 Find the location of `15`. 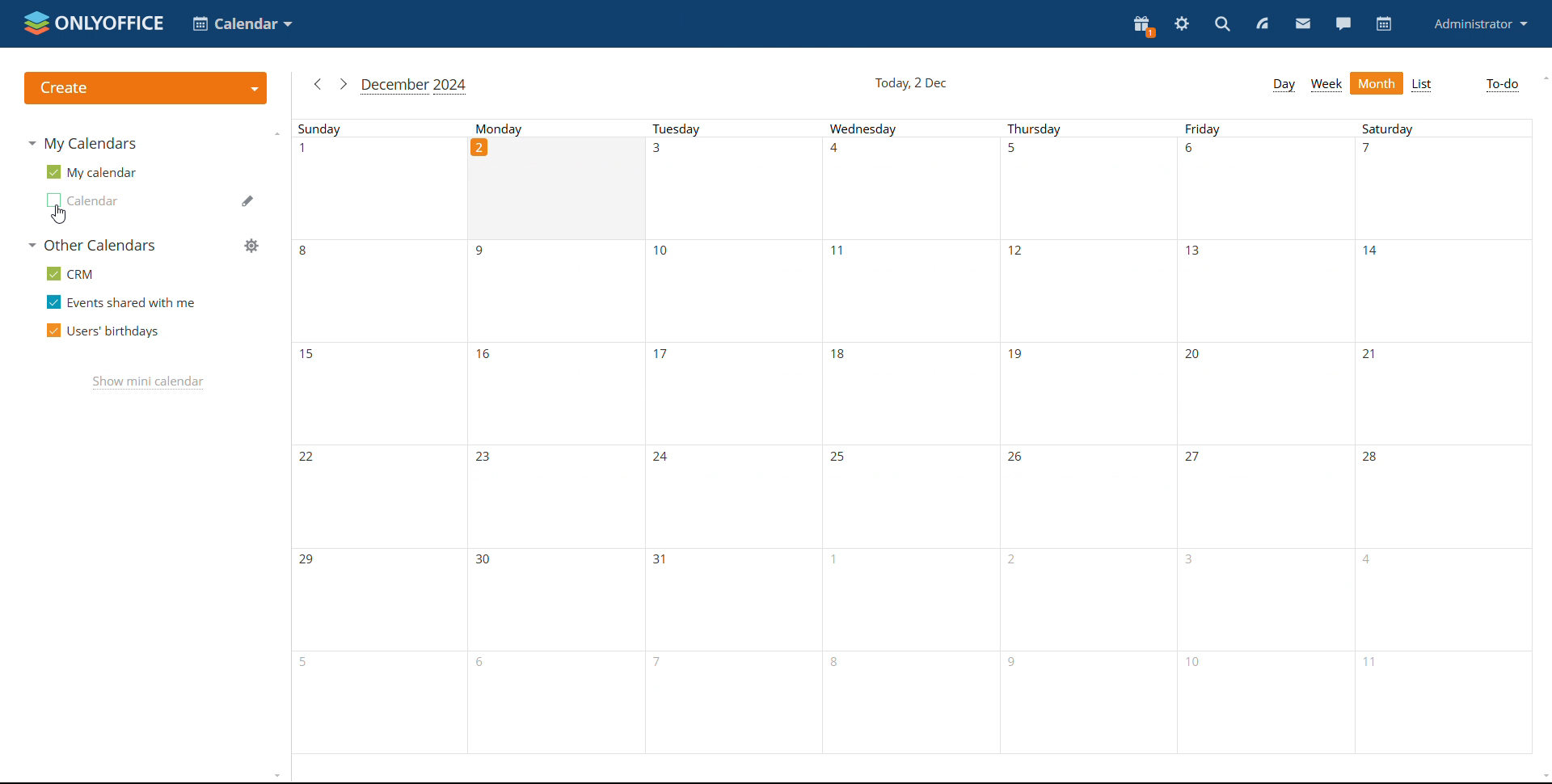

15 is located at coordinates (377, 390).